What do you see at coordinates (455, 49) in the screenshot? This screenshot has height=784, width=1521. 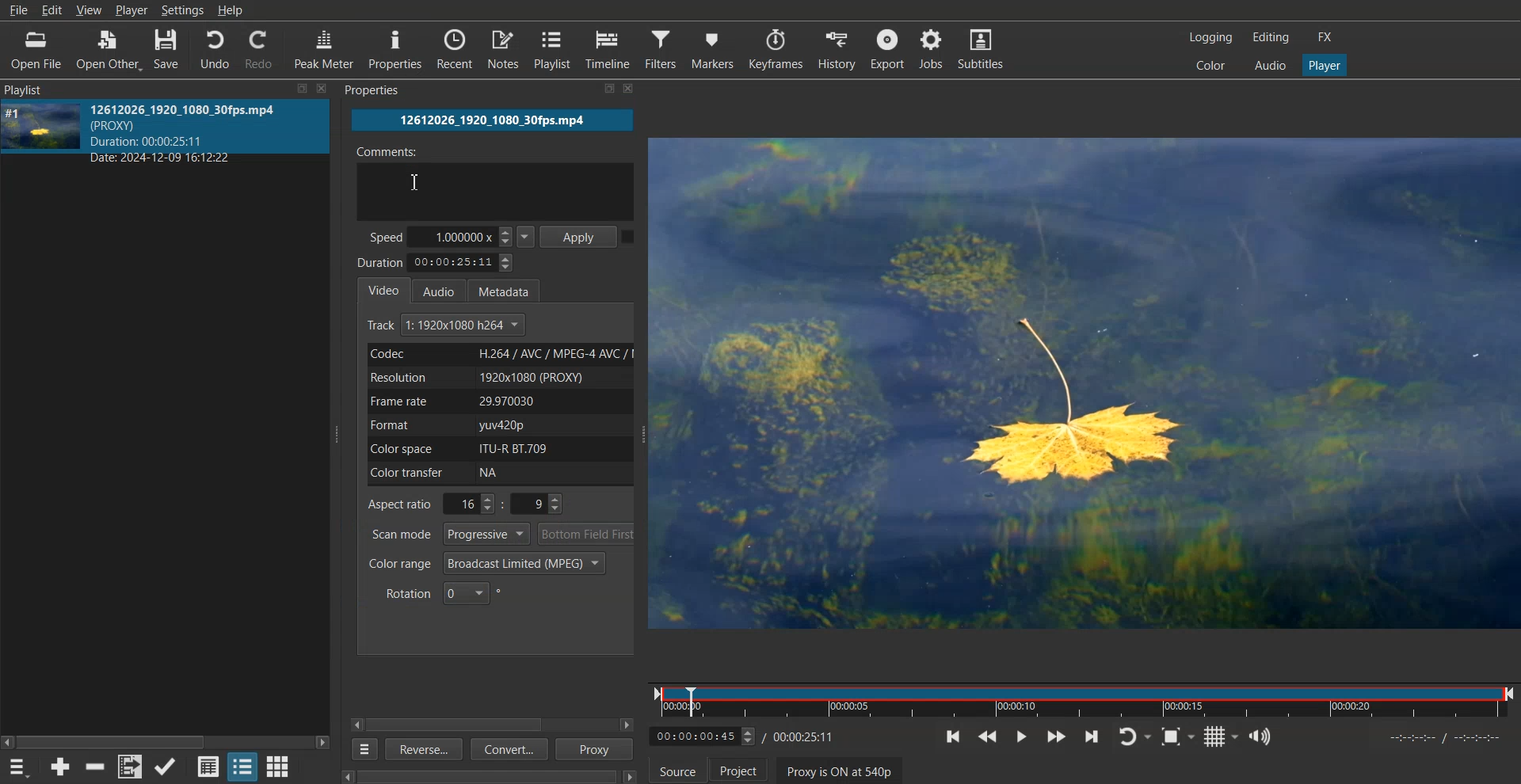 I see `Recent` at bounding box center [455, 49].